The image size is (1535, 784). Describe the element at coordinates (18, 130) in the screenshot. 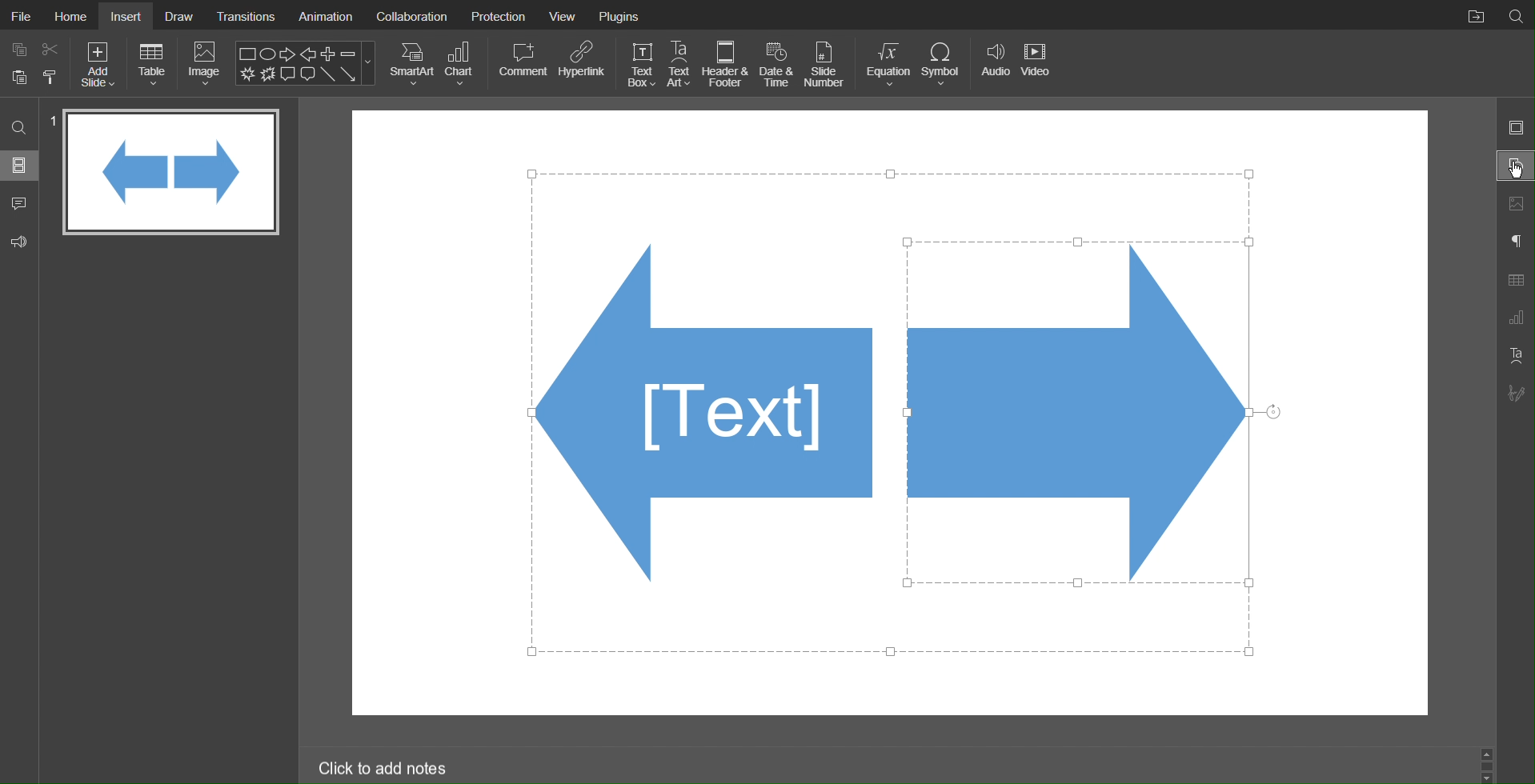

I see `Search` at that location.